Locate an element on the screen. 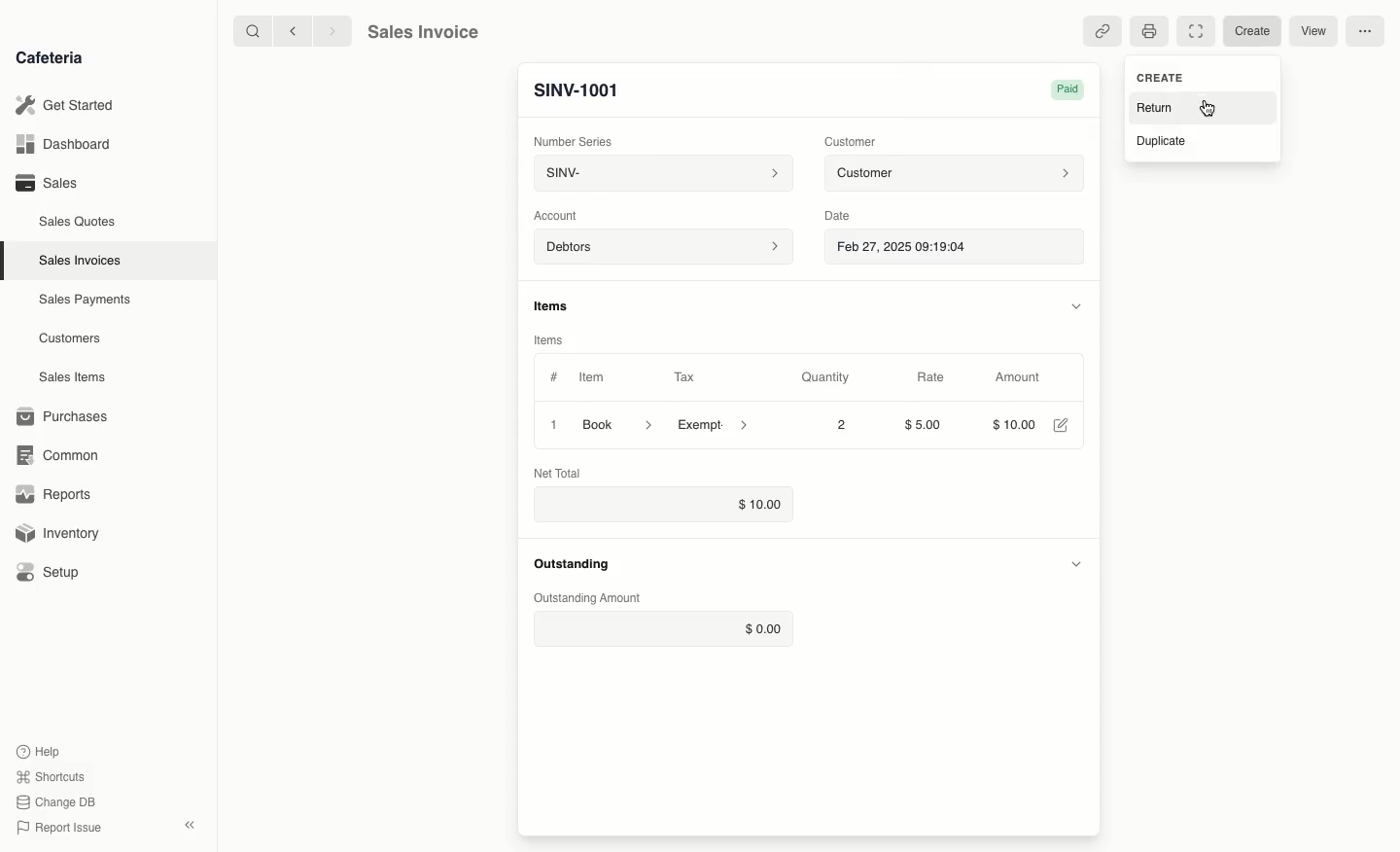 This screenshot has width=1400, height=852. Reports is located at coordinates (53, 492).